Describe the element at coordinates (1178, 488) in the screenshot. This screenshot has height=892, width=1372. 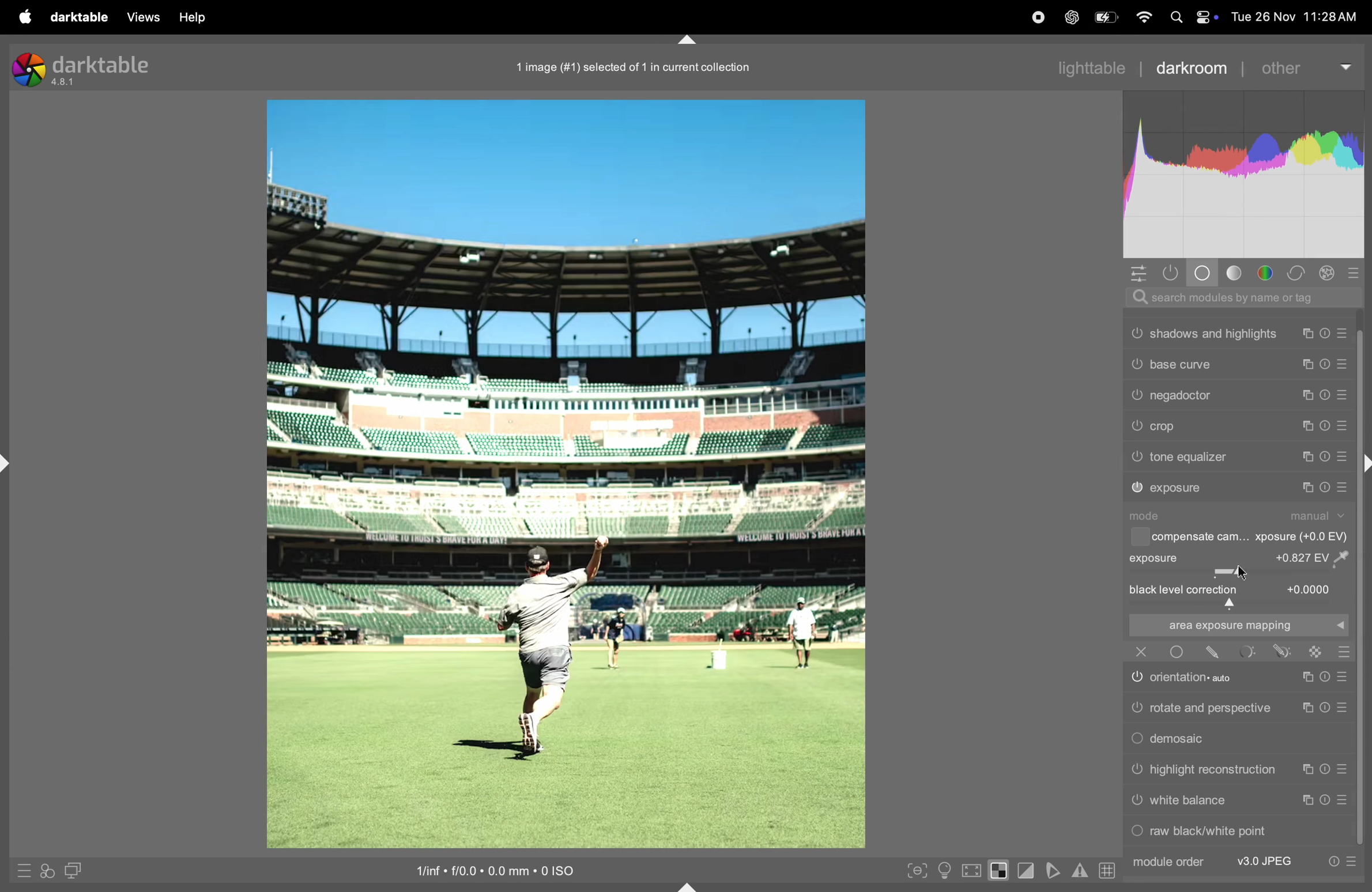
I see `exposure` at that location.